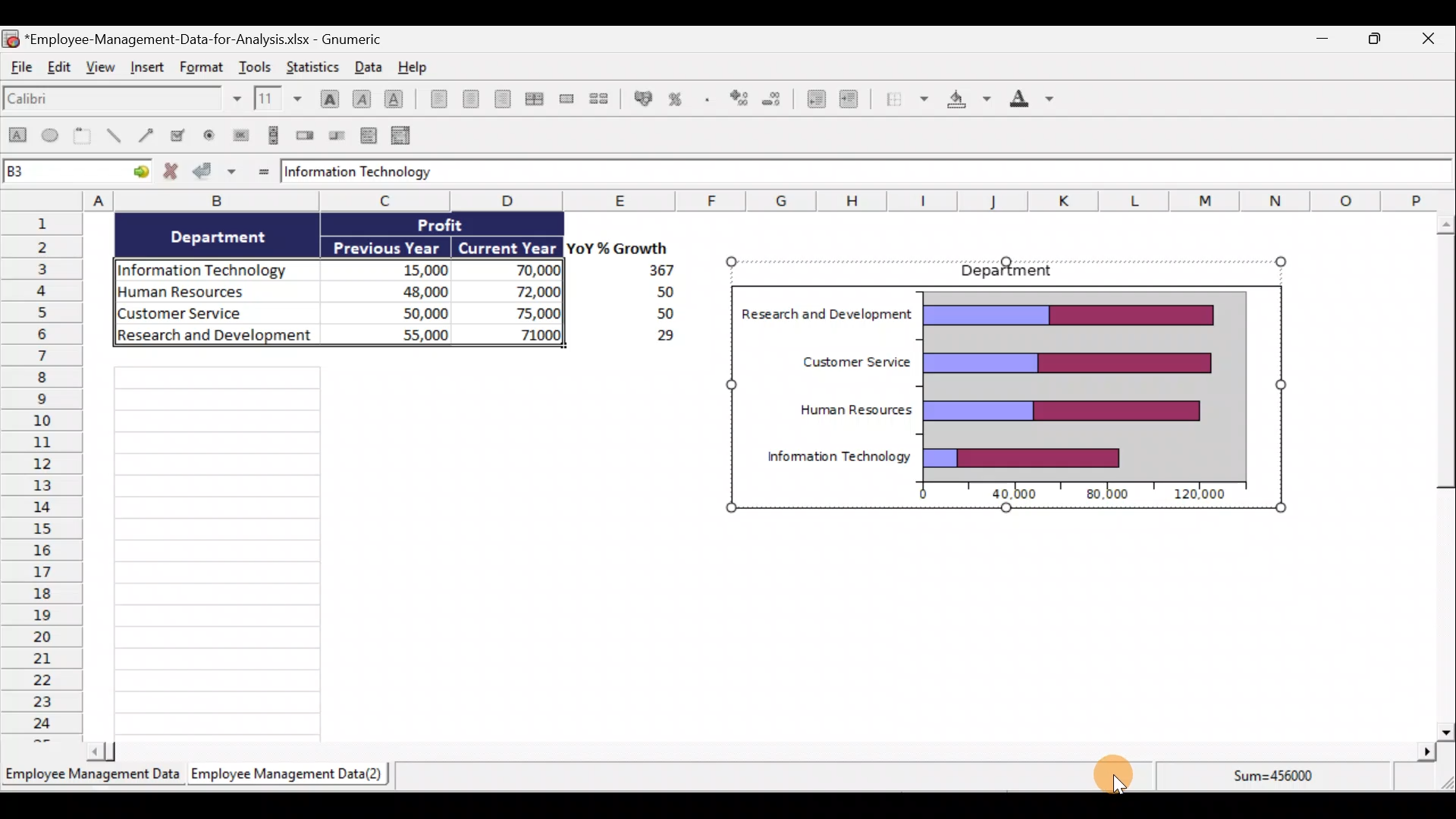 The width and height of the screenshot is (1456, 819). I want to click on Increase indent, align contents to the left, so click(855, 101).